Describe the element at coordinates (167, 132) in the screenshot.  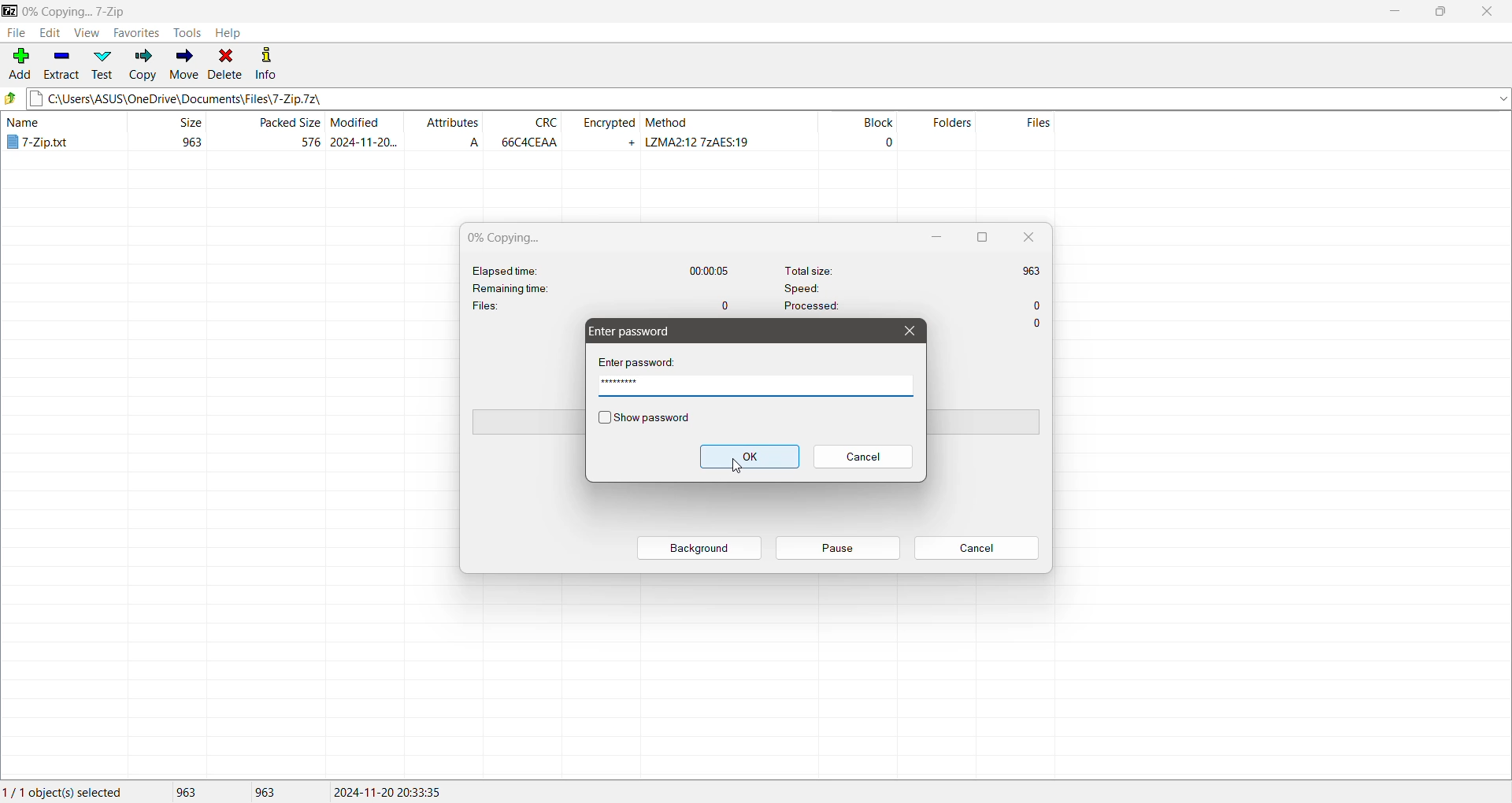
I see `File Size` at that location.